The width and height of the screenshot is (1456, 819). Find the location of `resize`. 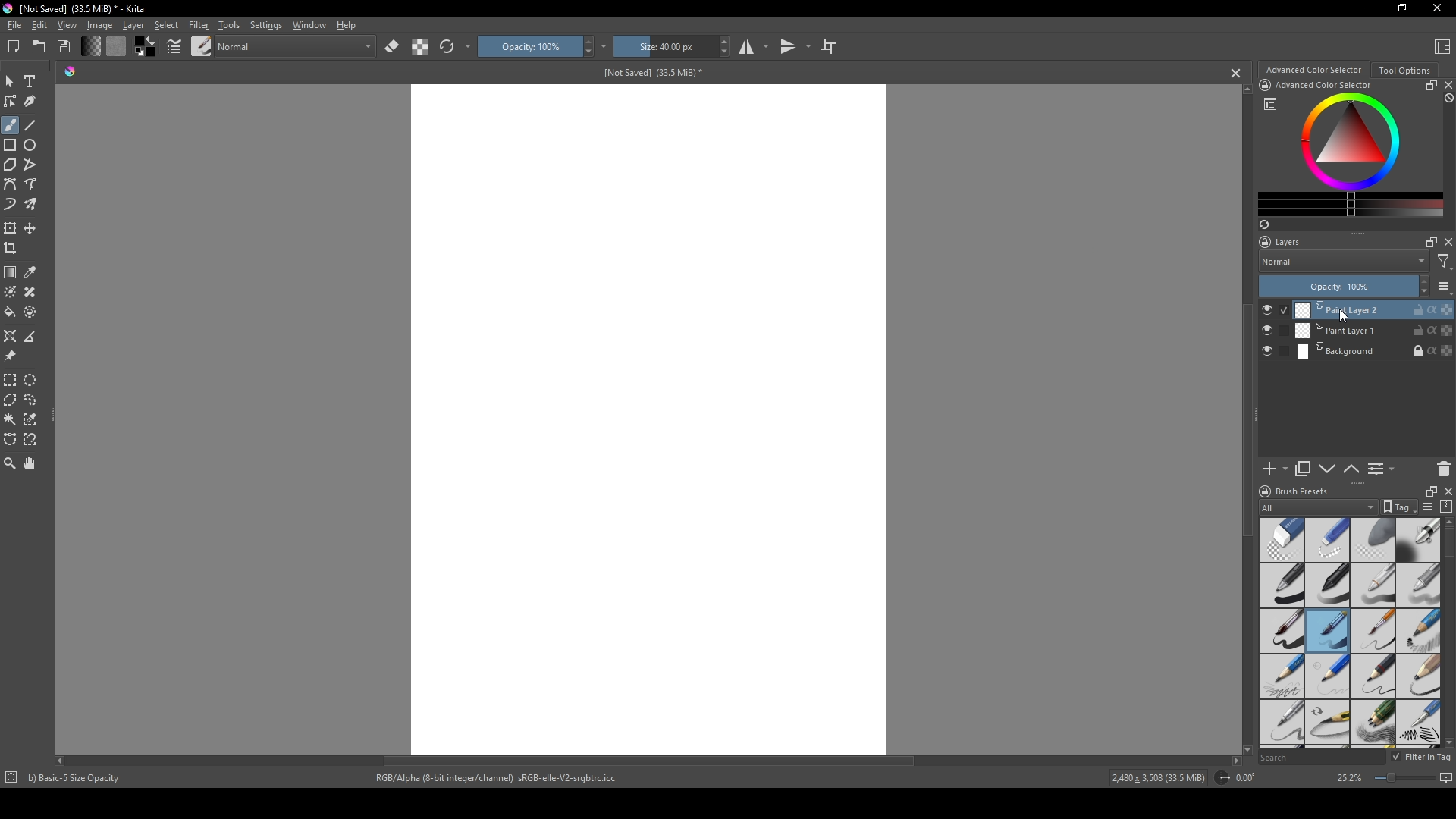

resize is located at coordinates (1428, 490).